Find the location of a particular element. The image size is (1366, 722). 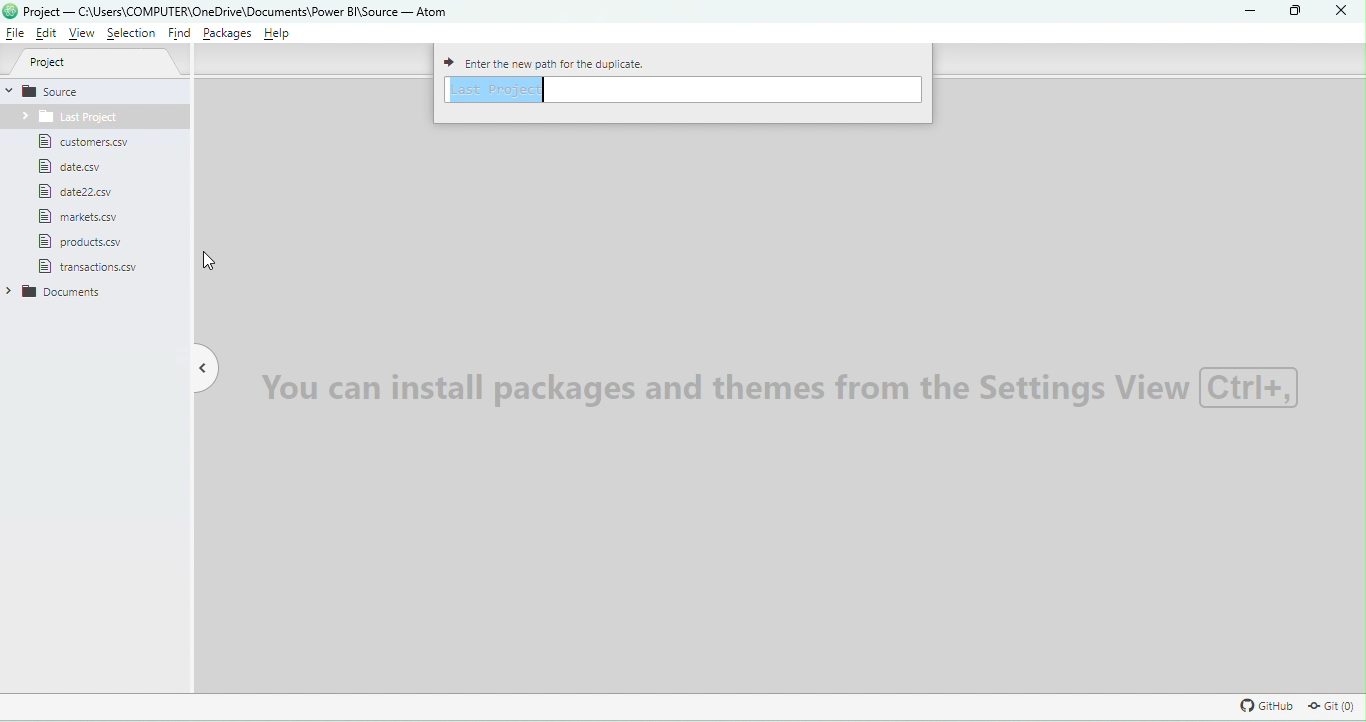

File is located at coordinates (78, 217).